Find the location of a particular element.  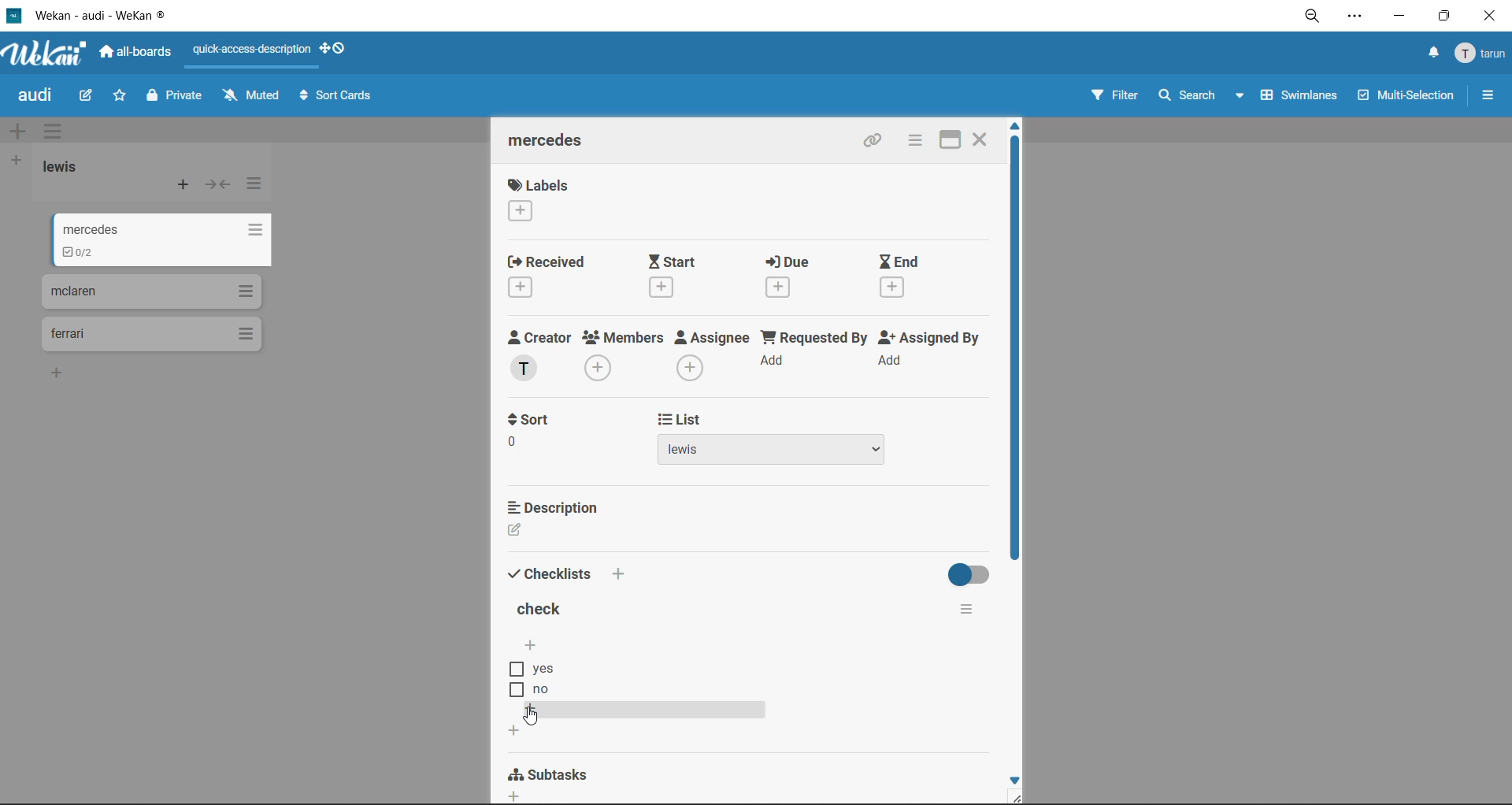

To-dos is located at coordinates (82, 252).